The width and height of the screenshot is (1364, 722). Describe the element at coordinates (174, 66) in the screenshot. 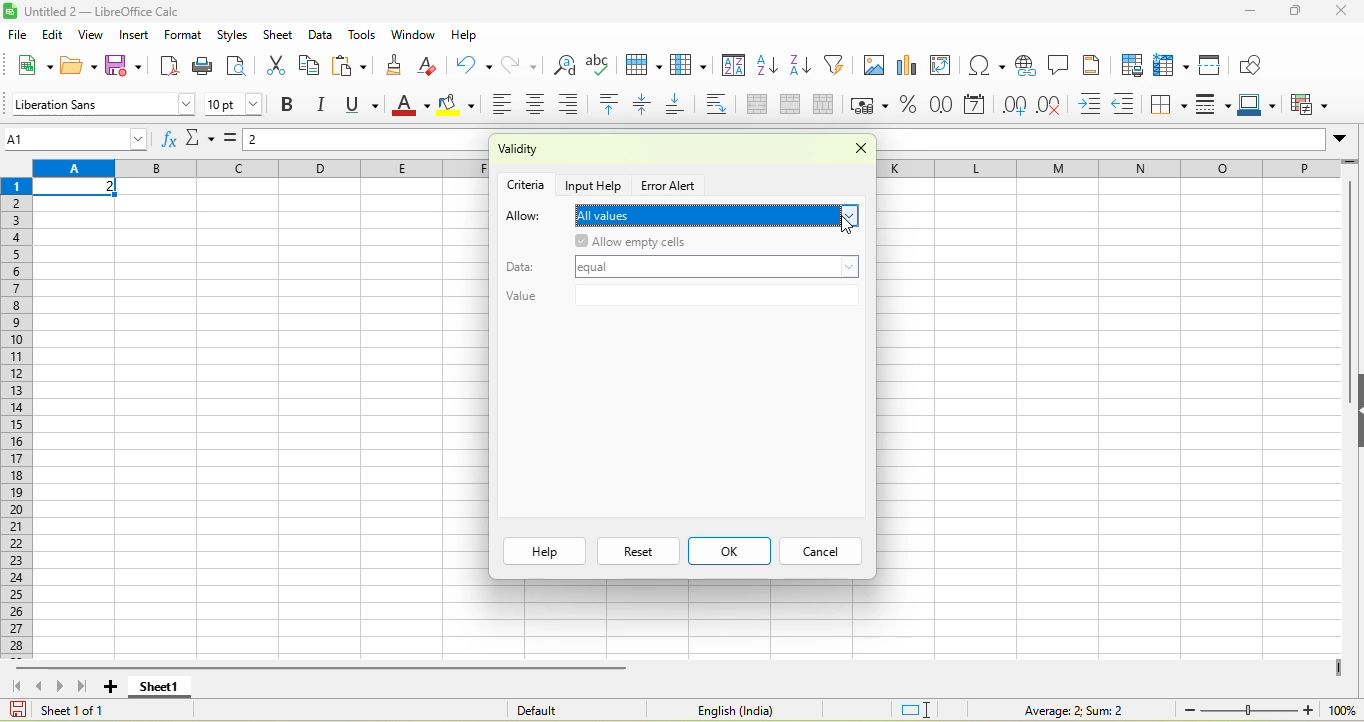

I see `export directly as pdf` at that location.